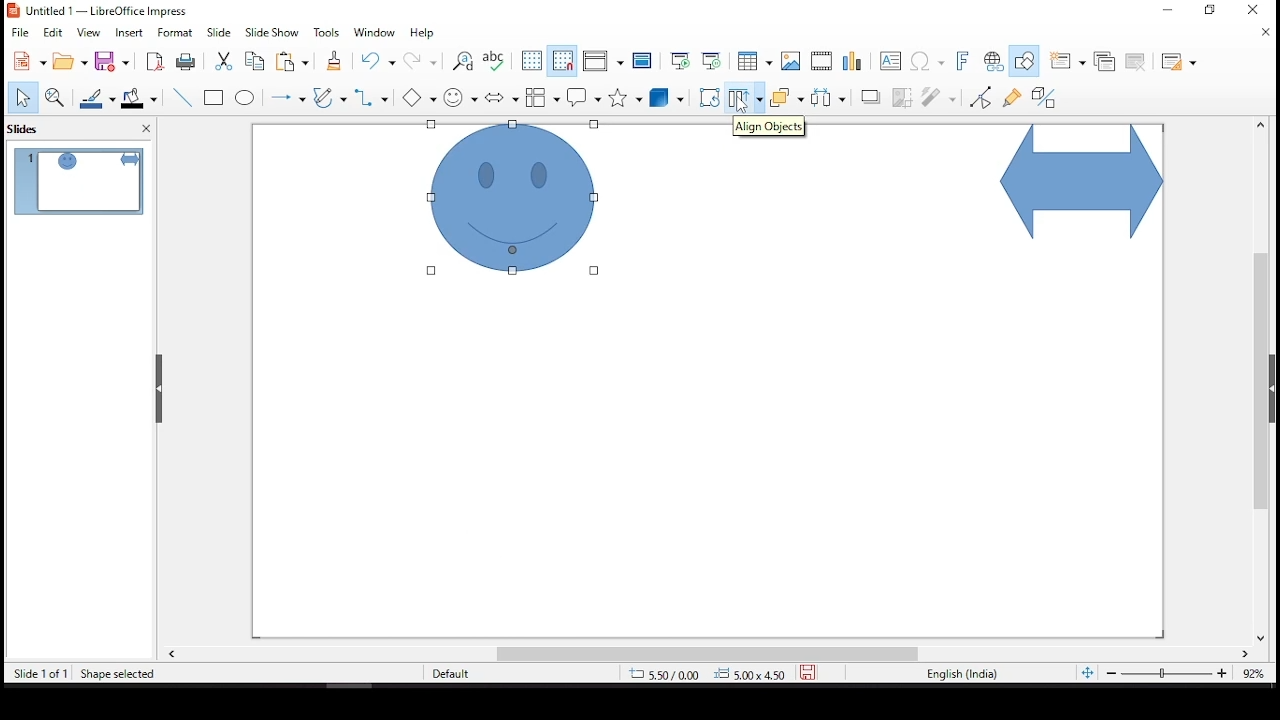 Image resolution: width=1280 pixels, height=720 pixels. I want to click on insert audio or video, so click(823, 61).